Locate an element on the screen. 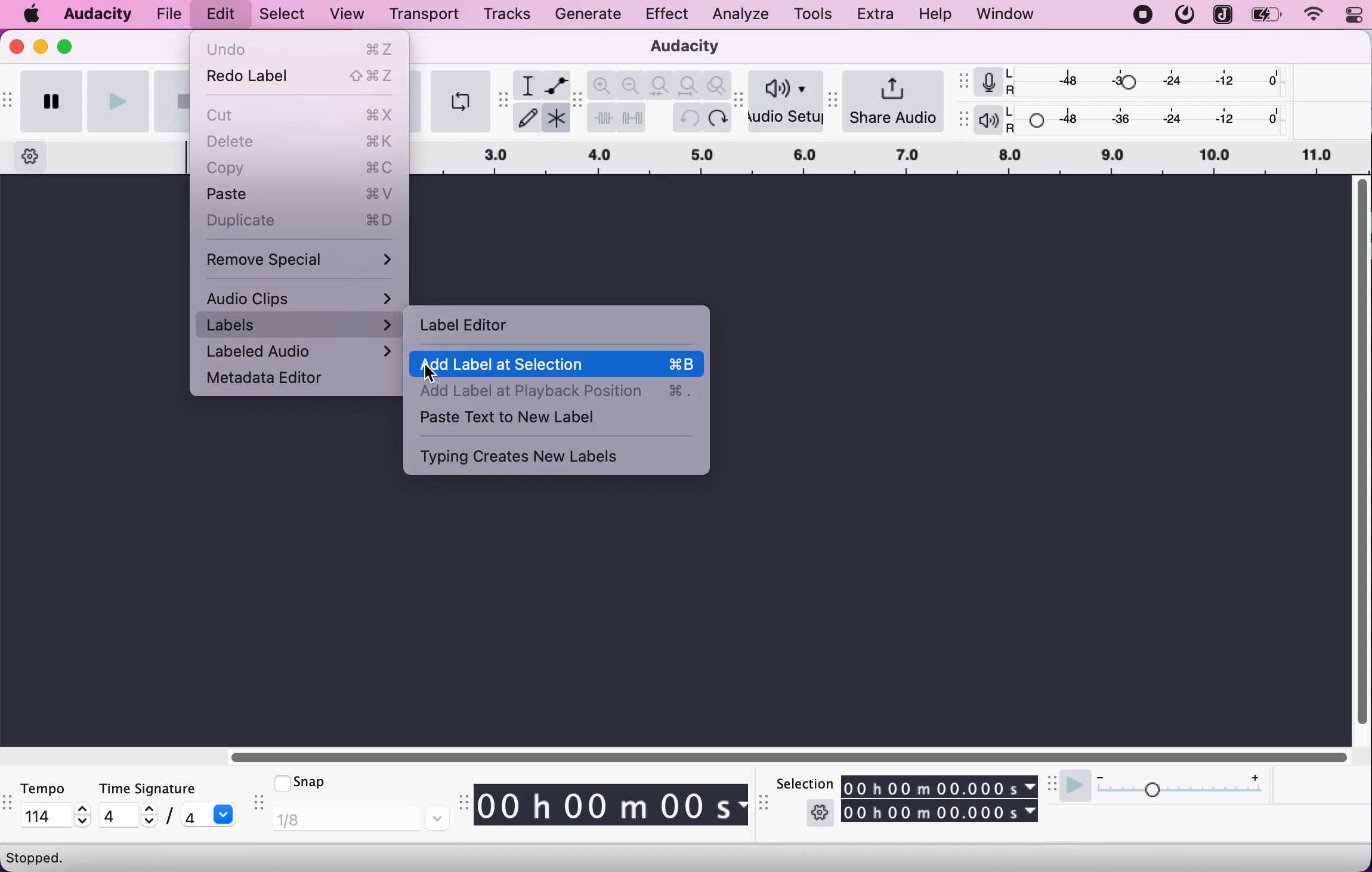 Image resolution: width=1372 pixels, height=872 pixels. extra is located at coordinates (877, 15).